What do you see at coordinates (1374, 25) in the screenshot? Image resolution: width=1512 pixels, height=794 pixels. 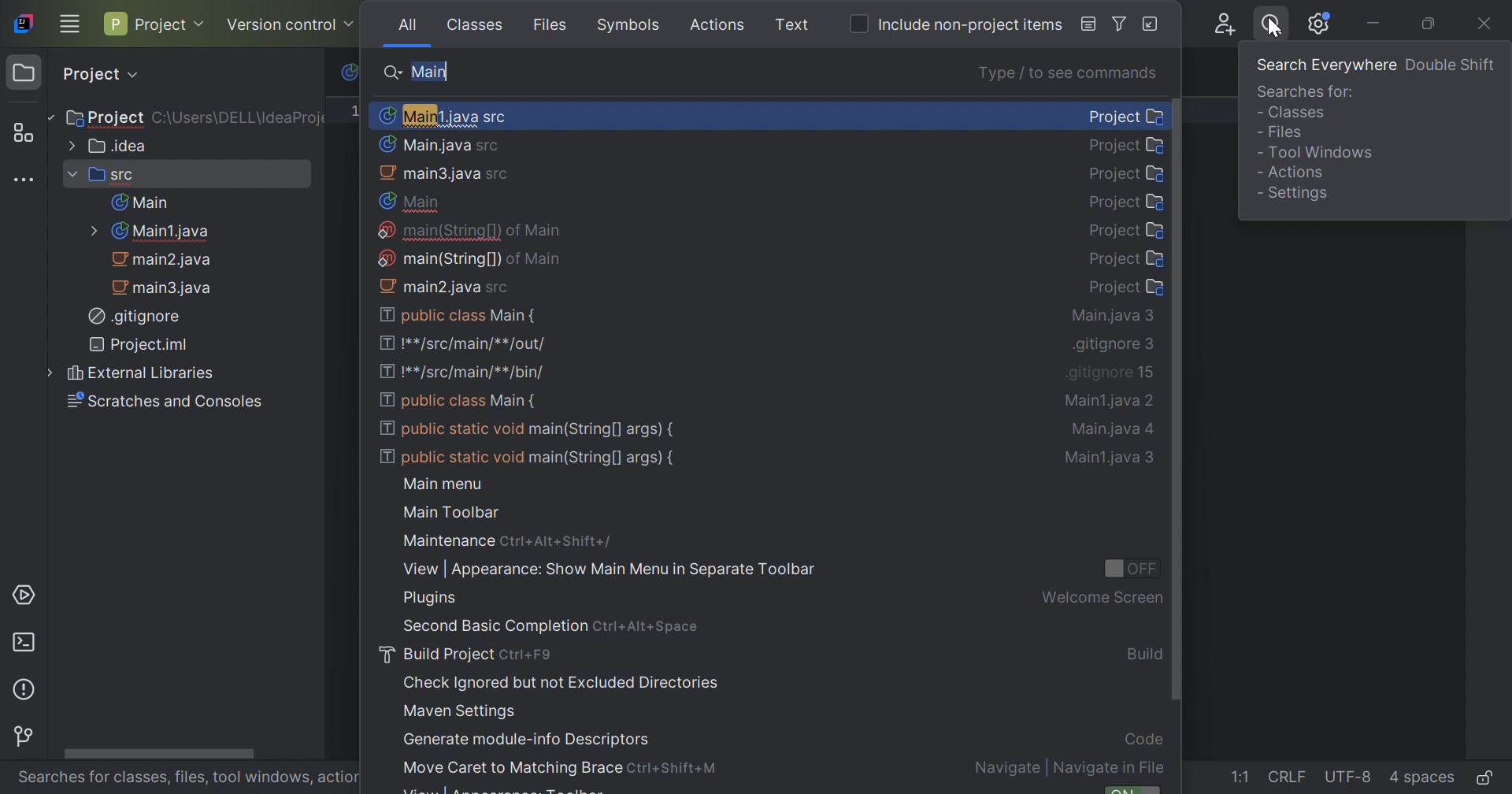 I see `Minimize` at bounding box center [1374, 25].